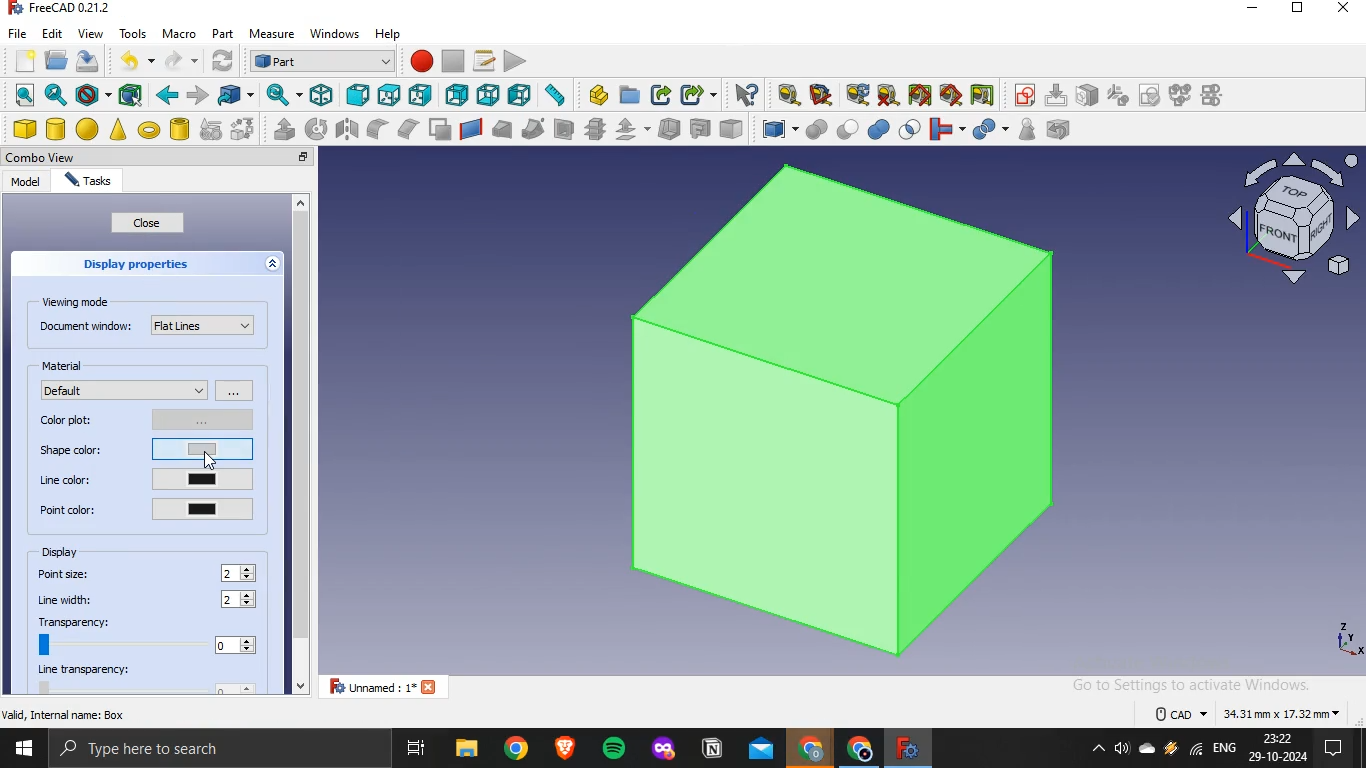 This screenshot has height=768, width=1366. What do you see at coordinates (221, 32) in the screenshot?
I see `part` at bounding box center [221, 32].